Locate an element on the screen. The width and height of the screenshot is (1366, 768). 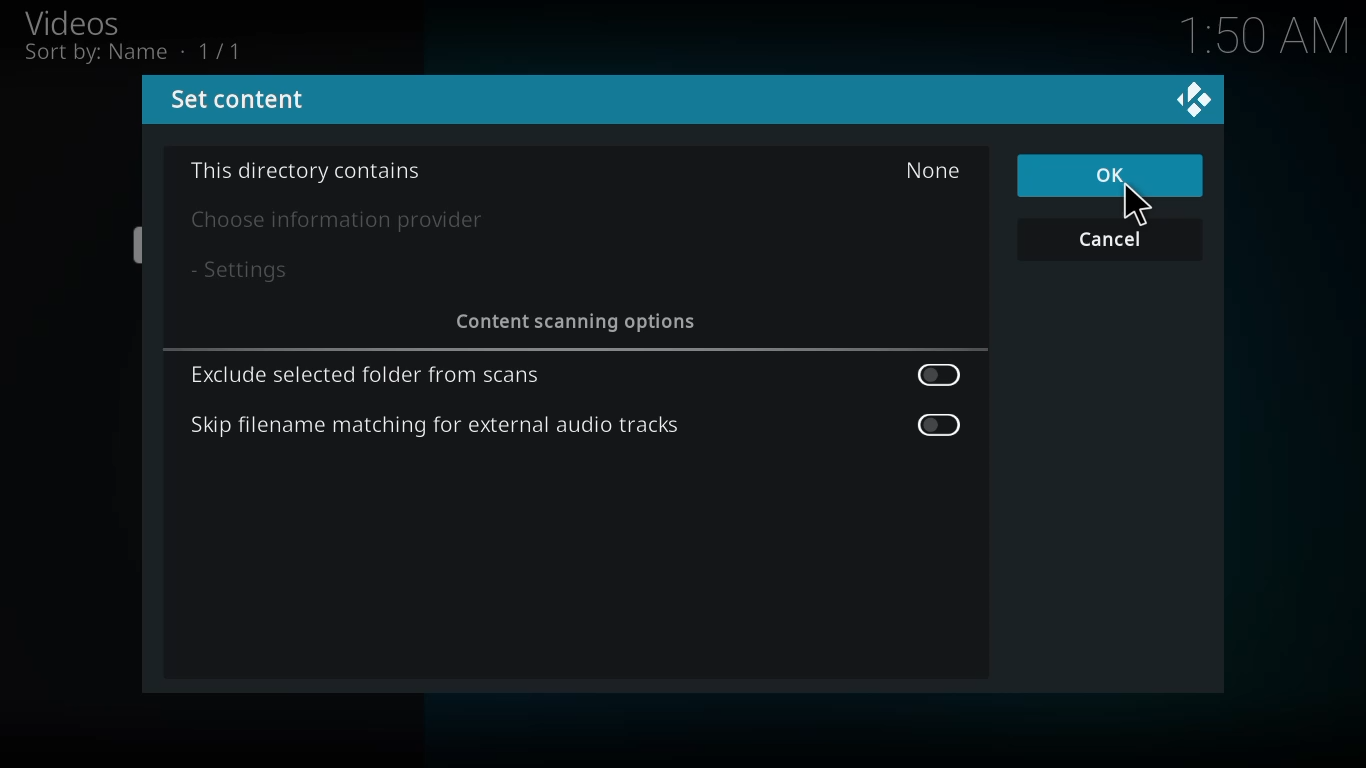
exclude selected folder from scans is located at coordinates (368, 377).